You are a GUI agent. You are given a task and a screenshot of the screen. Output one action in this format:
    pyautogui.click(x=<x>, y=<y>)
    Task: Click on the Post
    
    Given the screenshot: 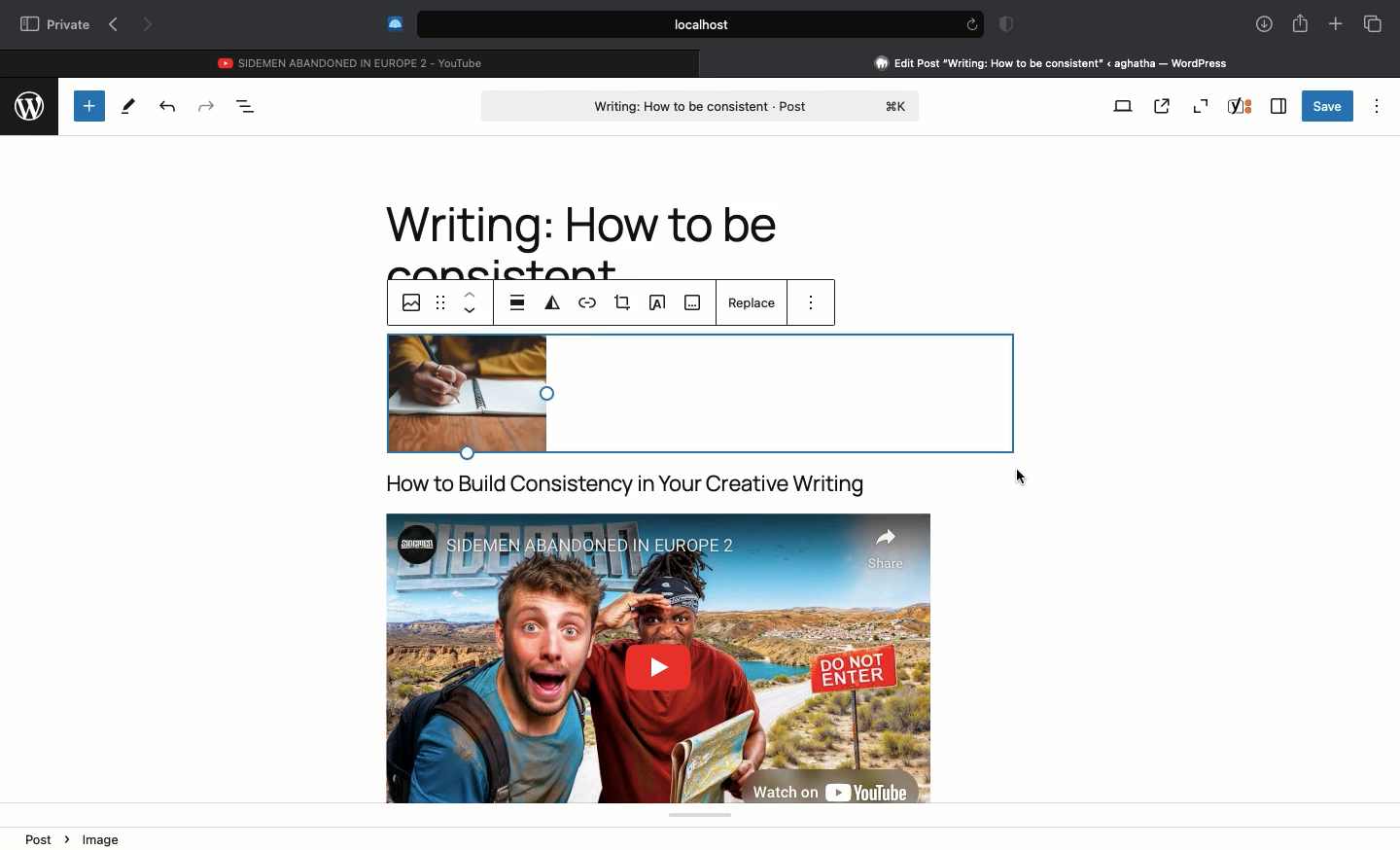 What is the action you would take?
    pyautogui.click(x=703, y=104)
    